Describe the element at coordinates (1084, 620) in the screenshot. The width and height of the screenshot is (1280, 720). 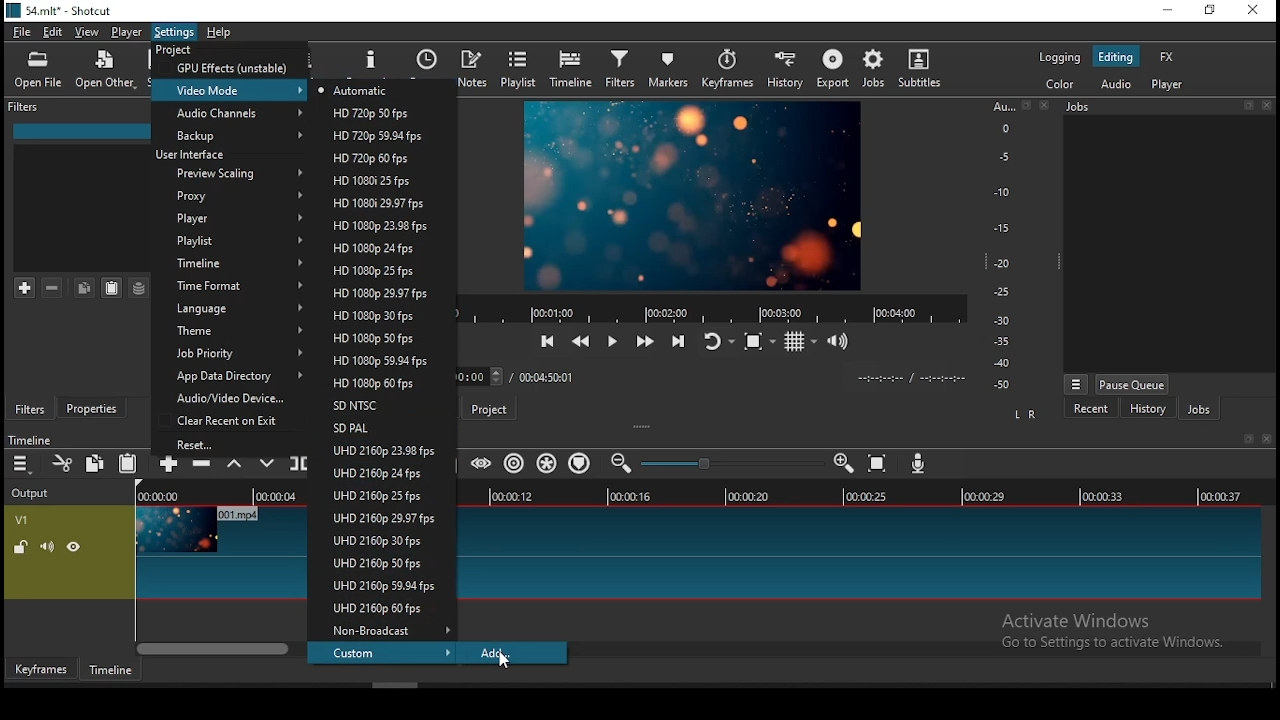
I see `Active Windows` at that location.